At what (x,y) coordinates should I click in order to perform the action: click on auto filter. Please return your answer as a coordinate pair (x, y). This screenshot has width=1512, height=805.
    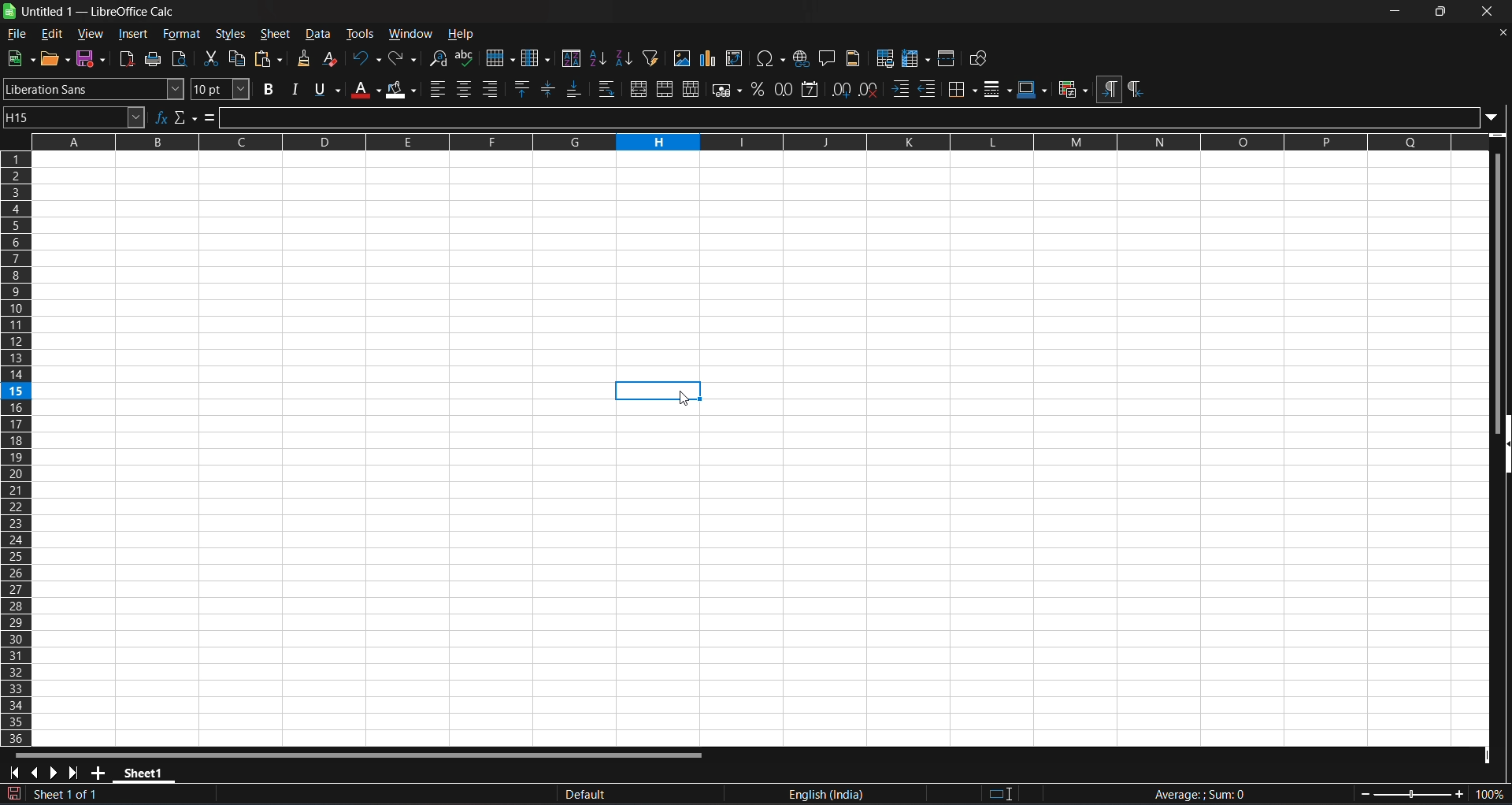
    Looking at the image, I should click on (651, 59).